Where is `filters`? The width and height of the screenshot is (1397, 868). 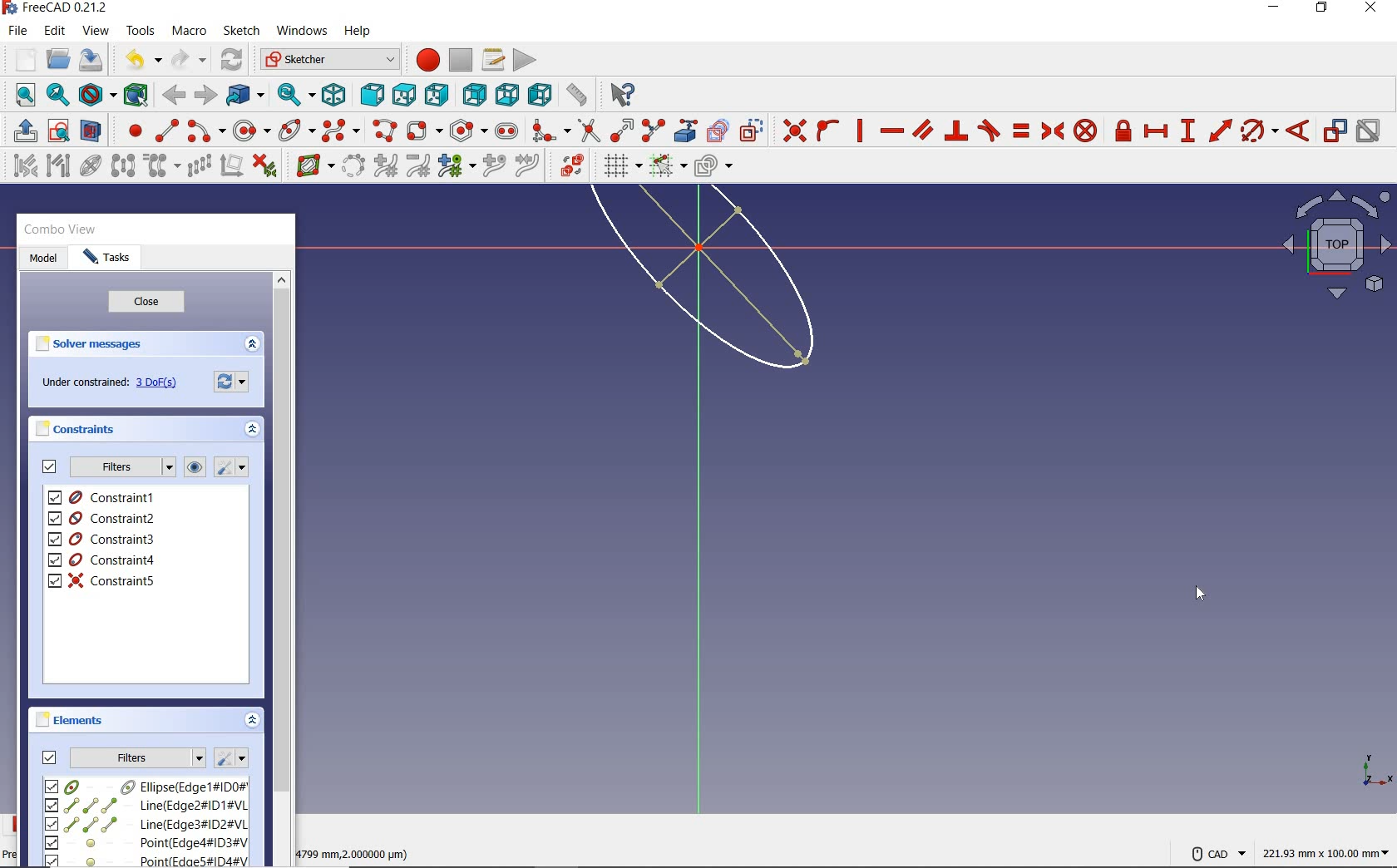 filters is located at coordinates (138, 756).